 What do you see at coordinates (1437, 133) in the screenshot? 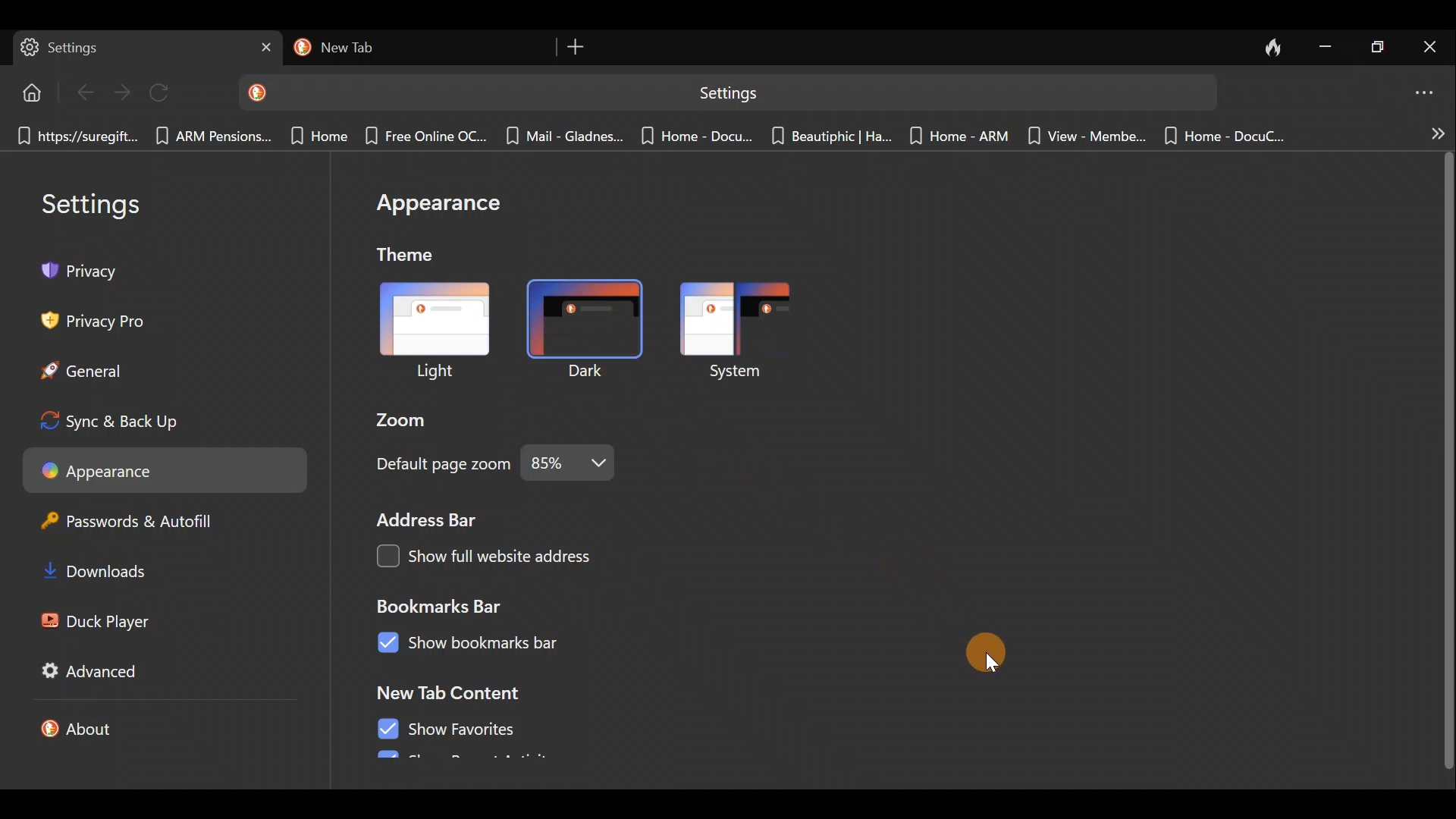
I see `show more bookmarks` at bounding box center [1437, 133].